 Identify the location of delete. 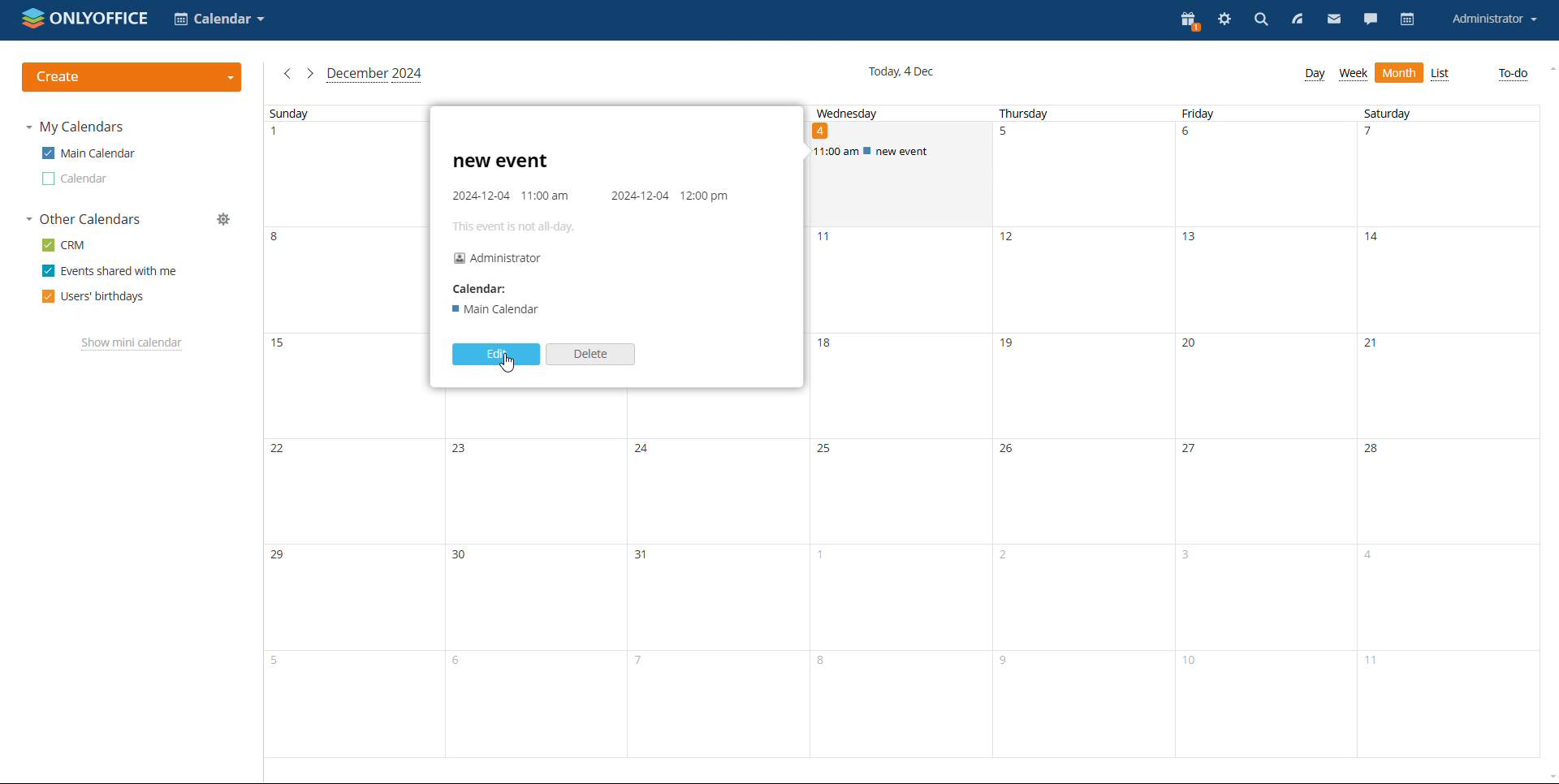
(592, 354).